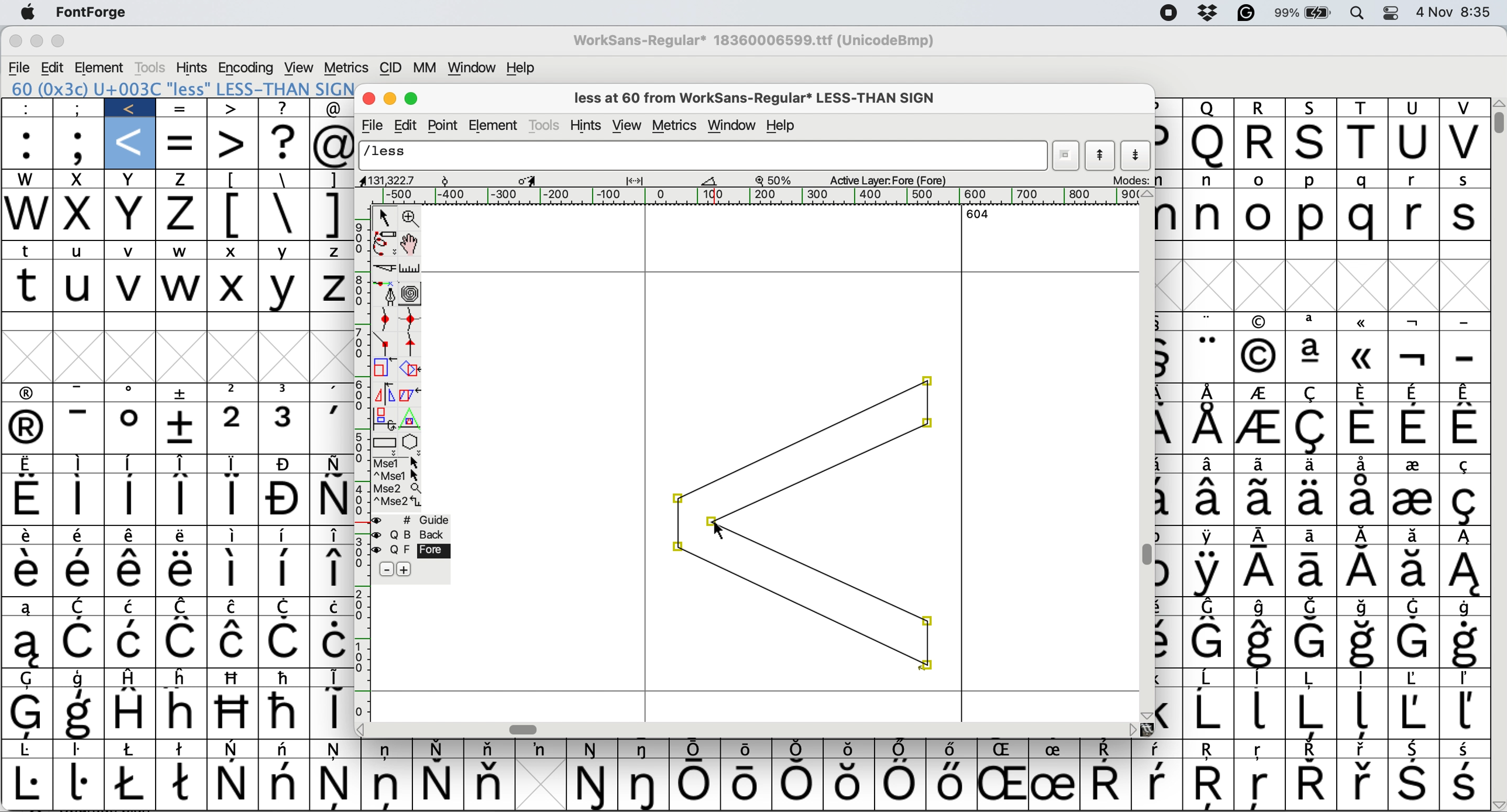  What do you see at coordinates (385, 243) in the screenshot?
I see `draw freehand curve` at bounding box center [385, 243].